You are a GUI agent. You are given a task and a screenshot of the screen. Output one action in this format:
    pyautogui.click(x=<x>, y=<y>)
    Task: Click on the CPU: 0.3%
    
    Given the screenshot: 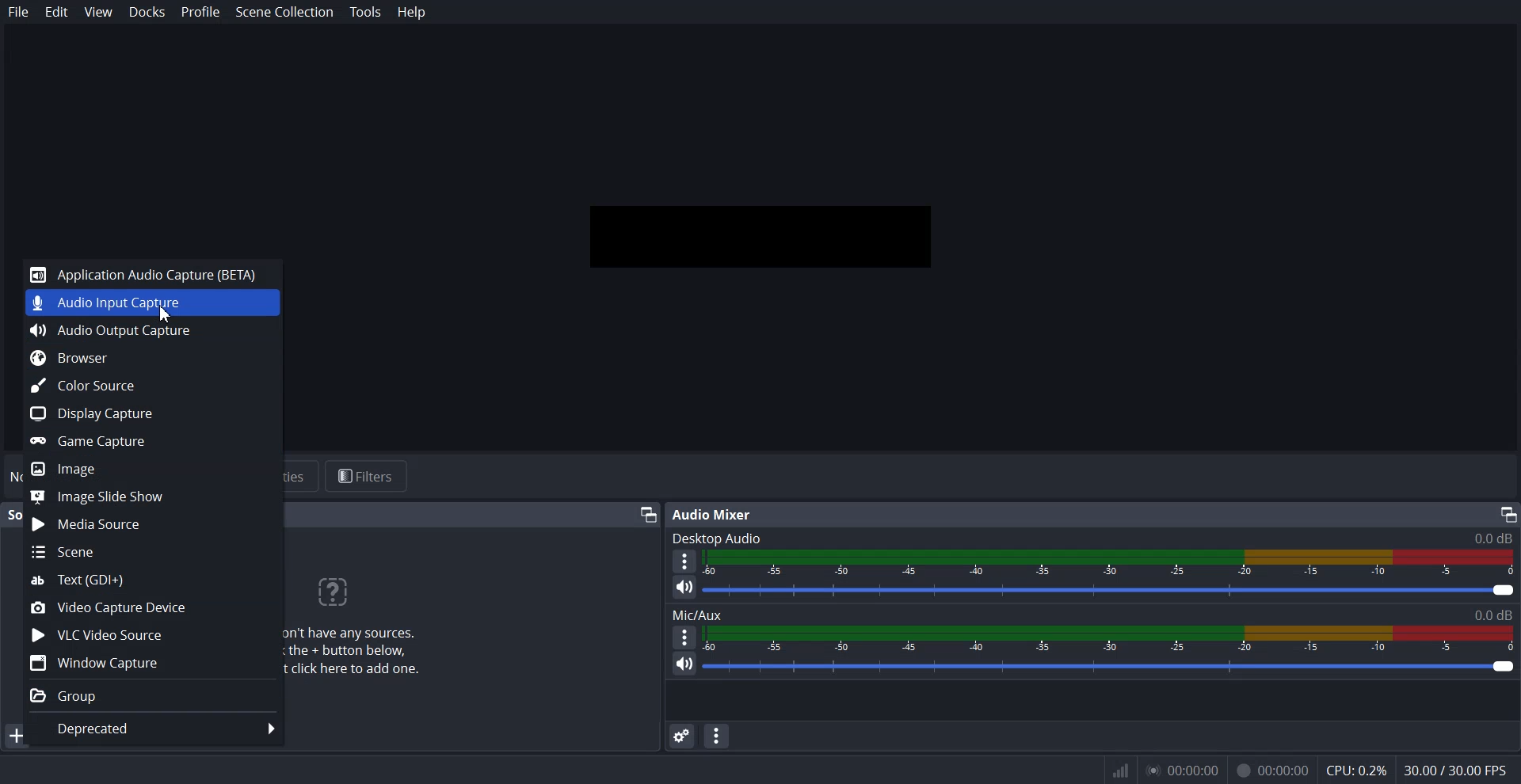 What is the action you would take?
    pyautogui.click(x=1355, y=772)
    